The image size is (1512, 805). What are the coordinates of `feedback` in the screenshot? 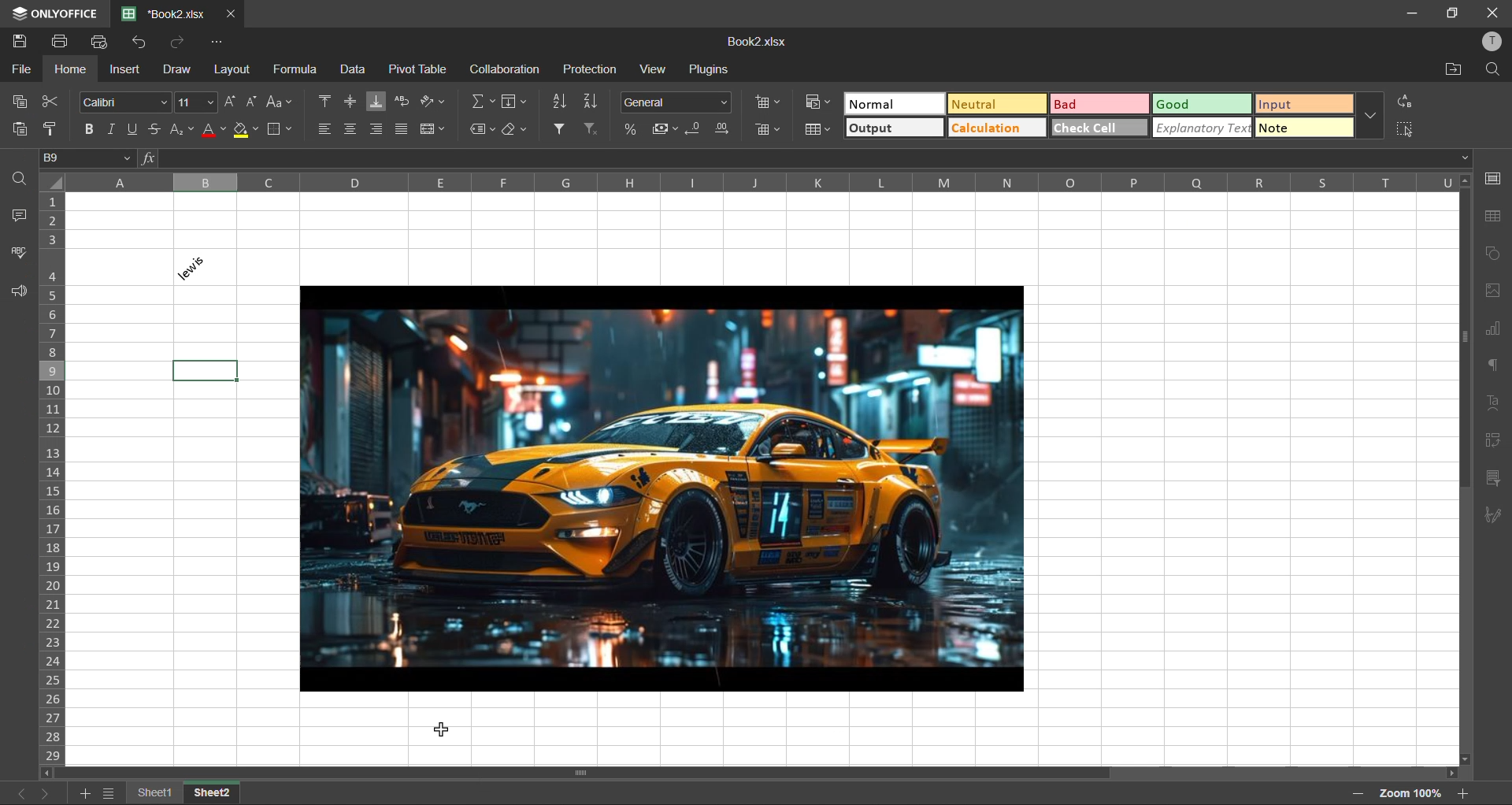 It's located at (18, 291).